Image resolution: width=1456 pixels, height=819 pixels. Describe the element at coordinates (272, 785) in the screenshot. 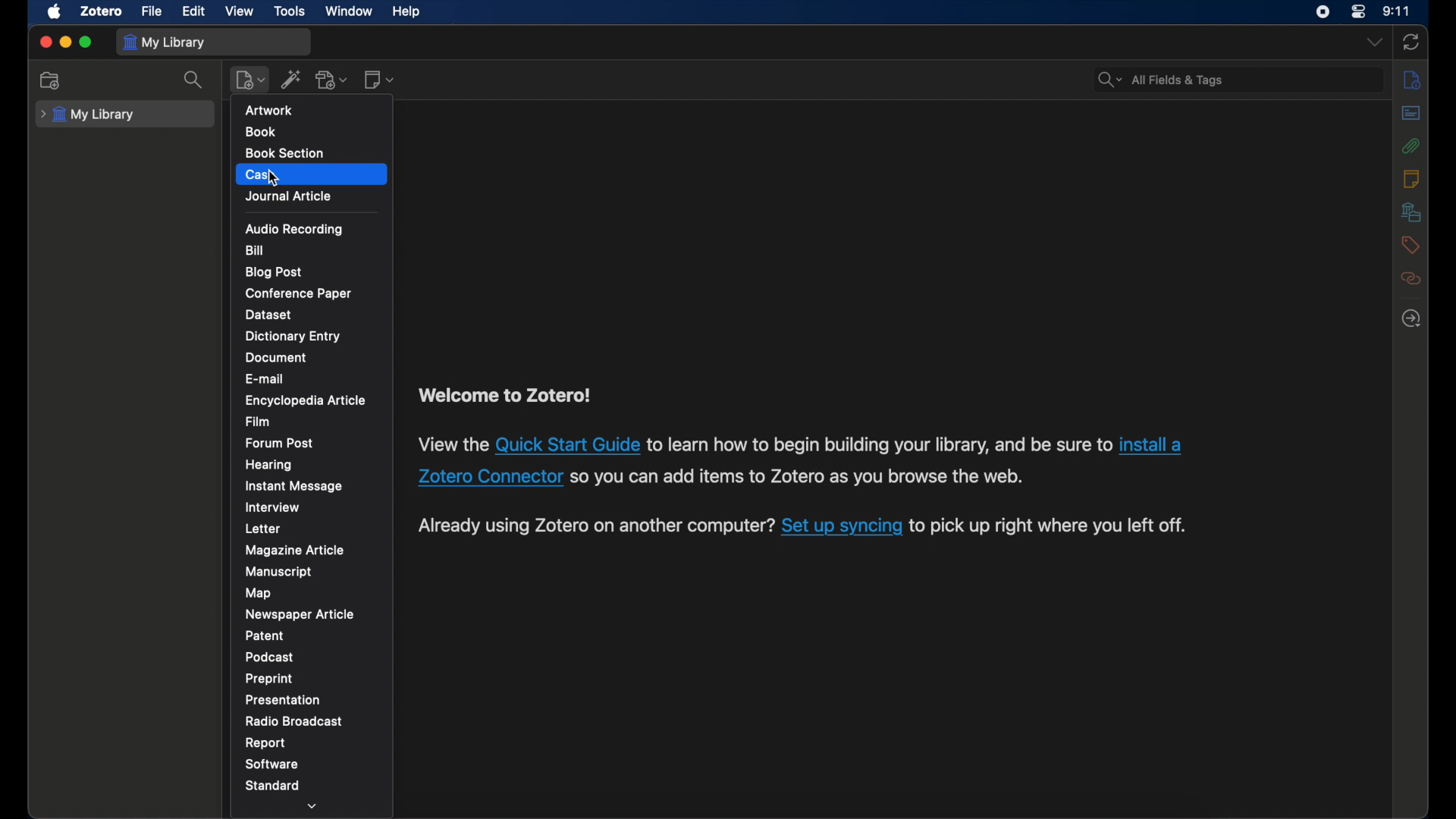

I see `standard` at that location.